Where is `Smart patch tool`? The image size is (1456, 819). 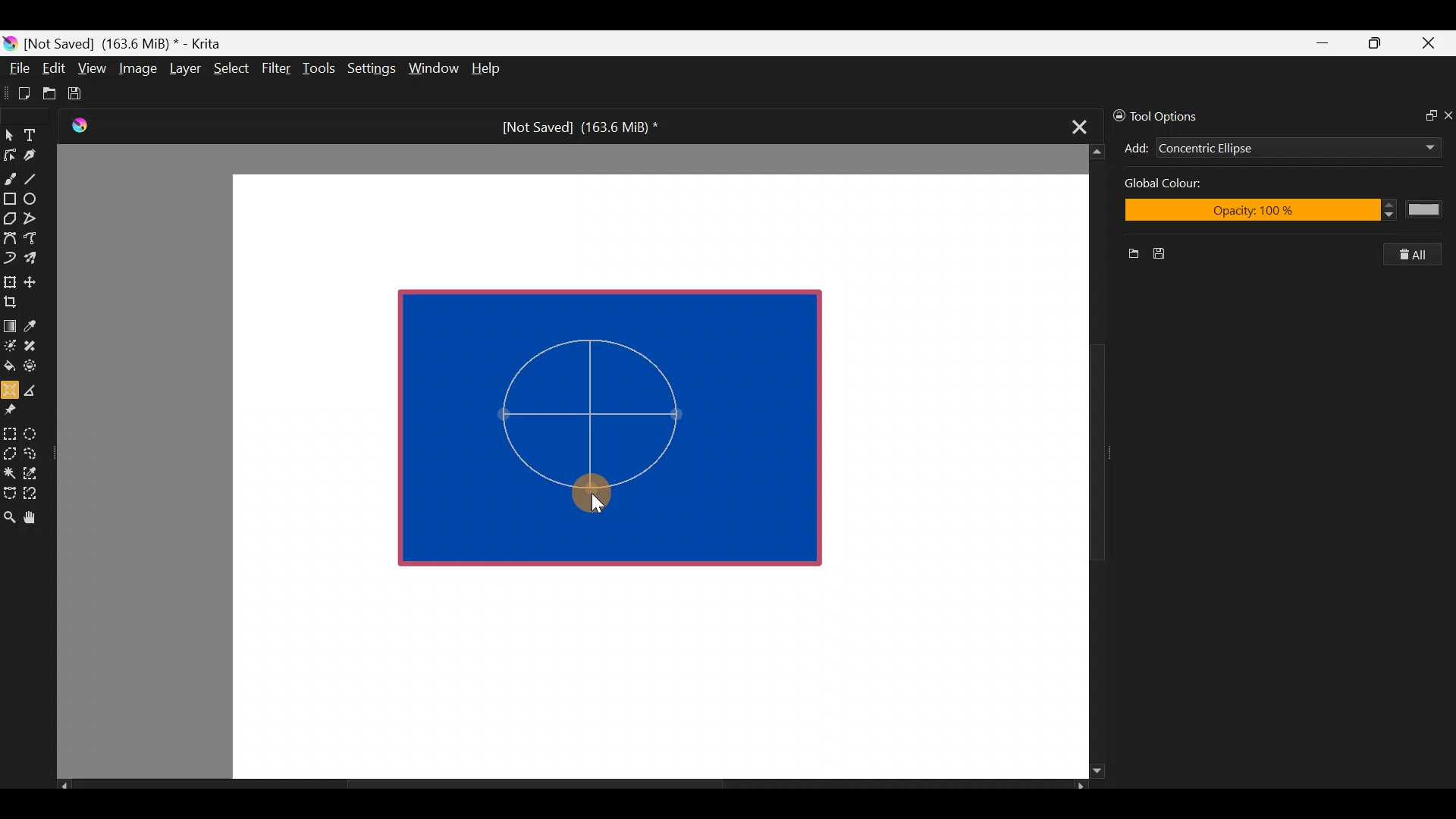 Smart patch tool is located at coordinates (35, 345).